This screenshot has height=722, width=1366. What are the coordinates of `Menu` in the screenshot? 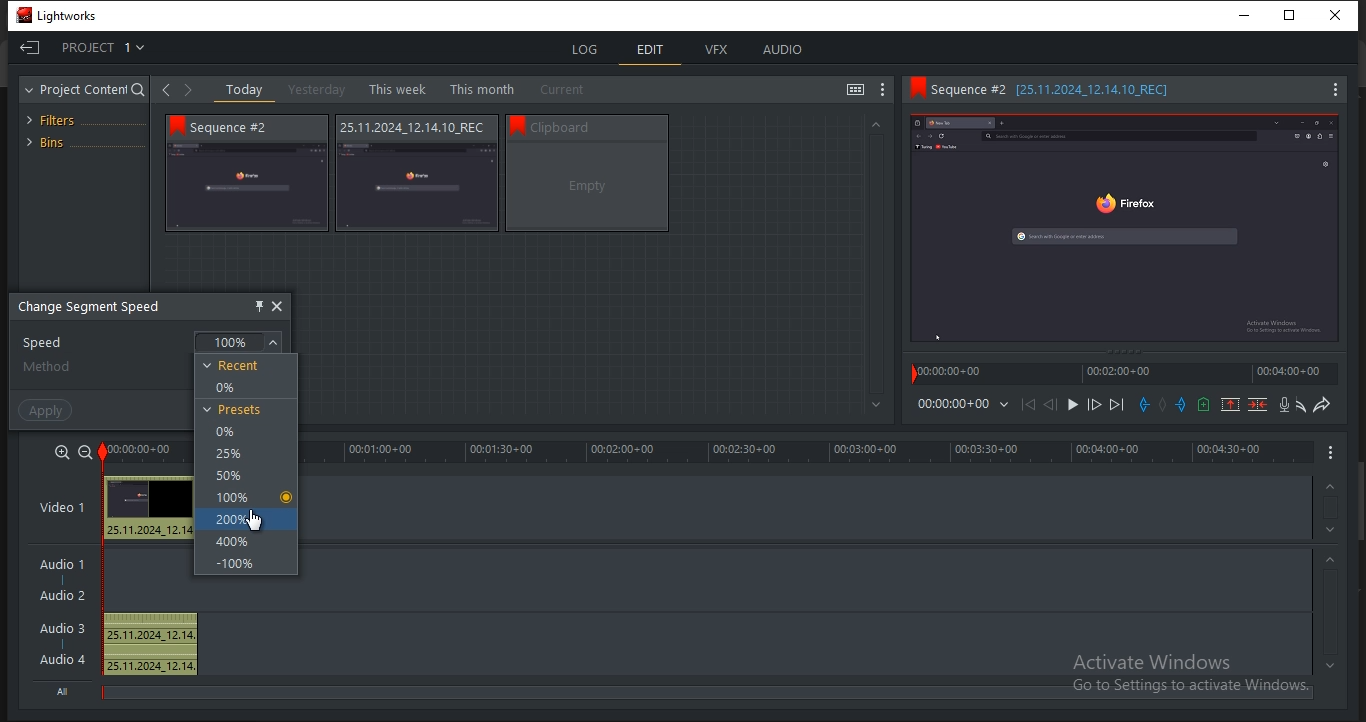 It's located at (1332, 453).